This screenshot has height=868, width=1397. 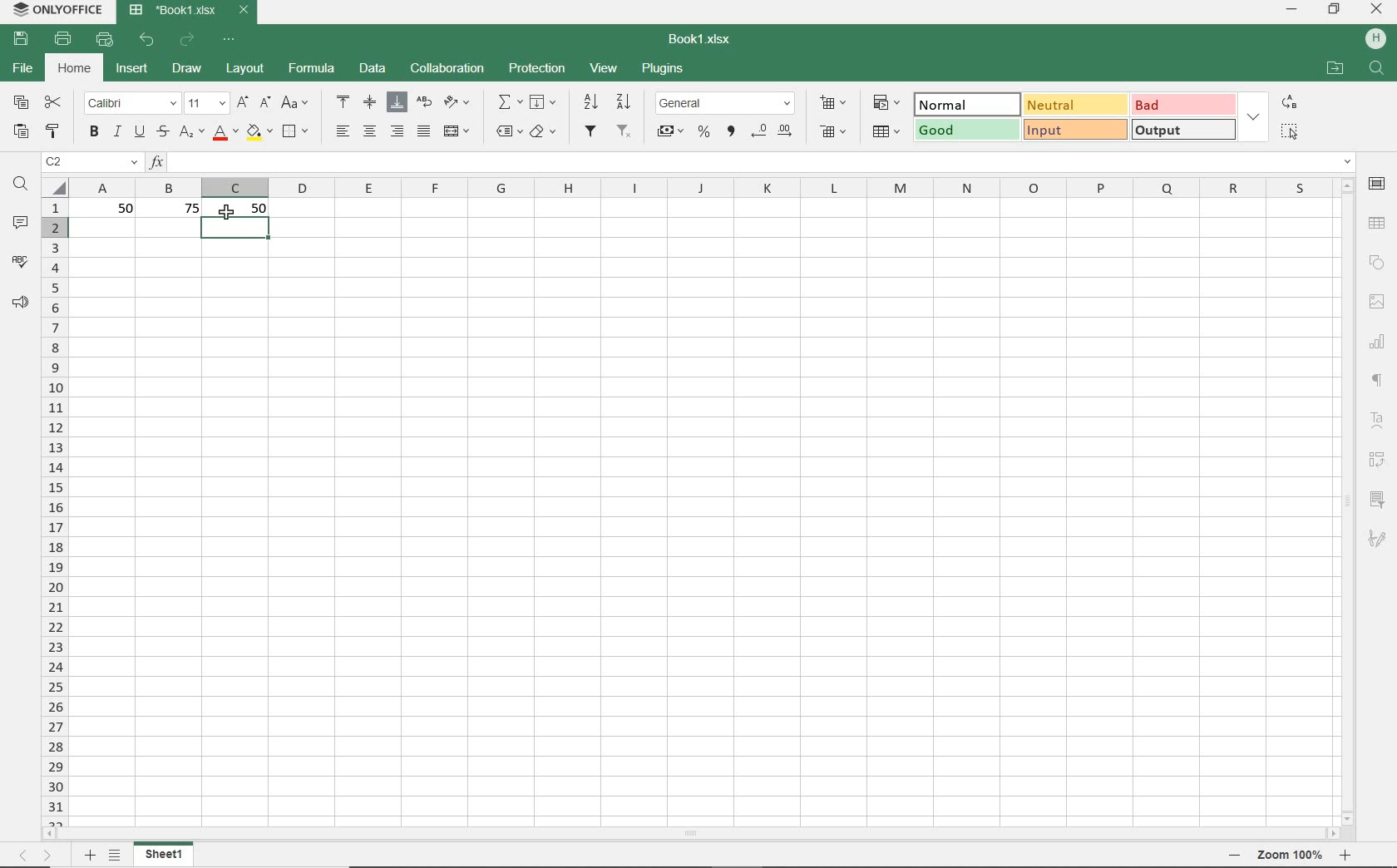 I want to click on align right, so click(x=397, y=131).